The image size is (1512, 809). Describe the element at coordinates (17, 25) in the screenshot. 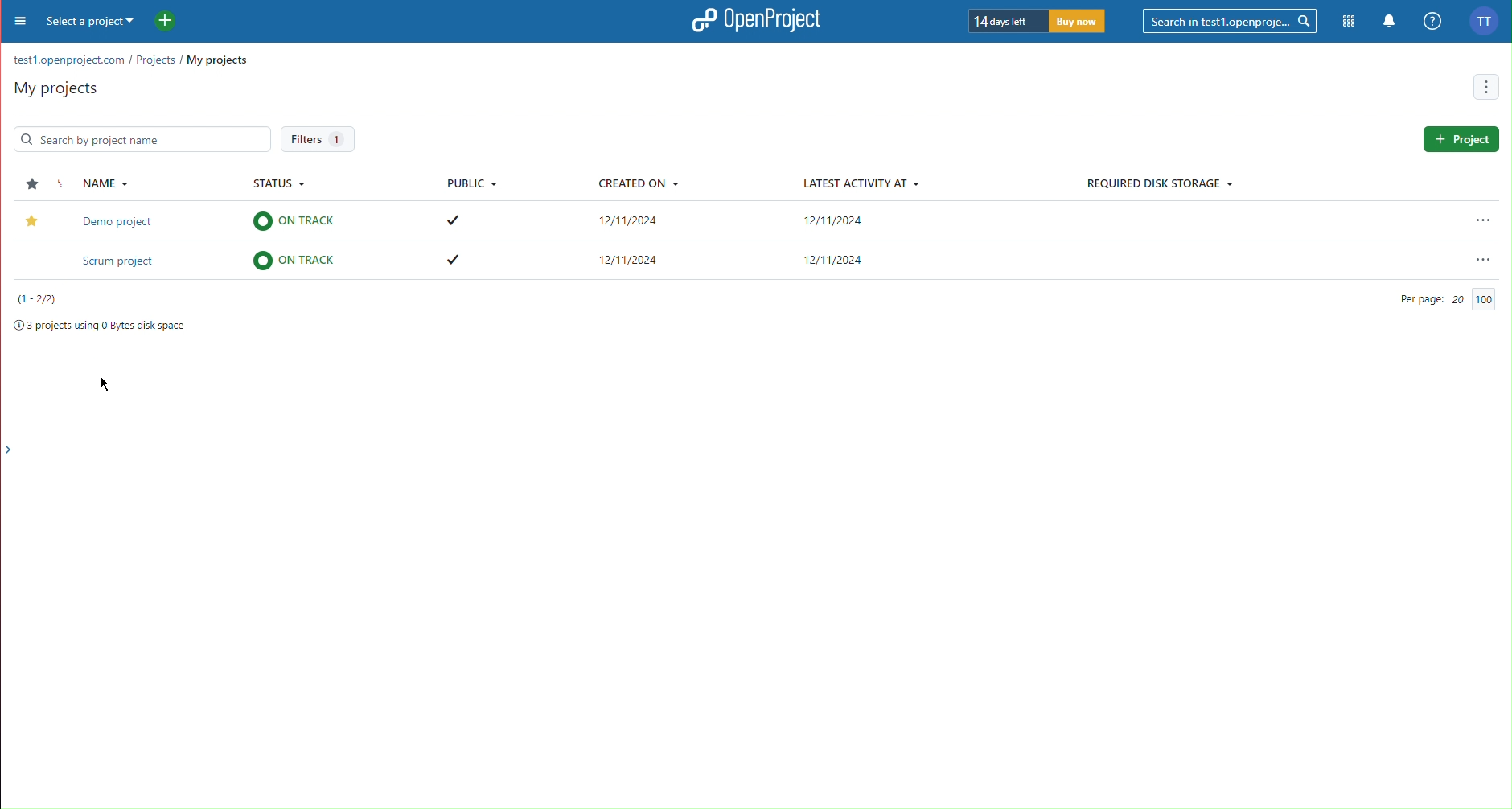

I see `More` at that location.